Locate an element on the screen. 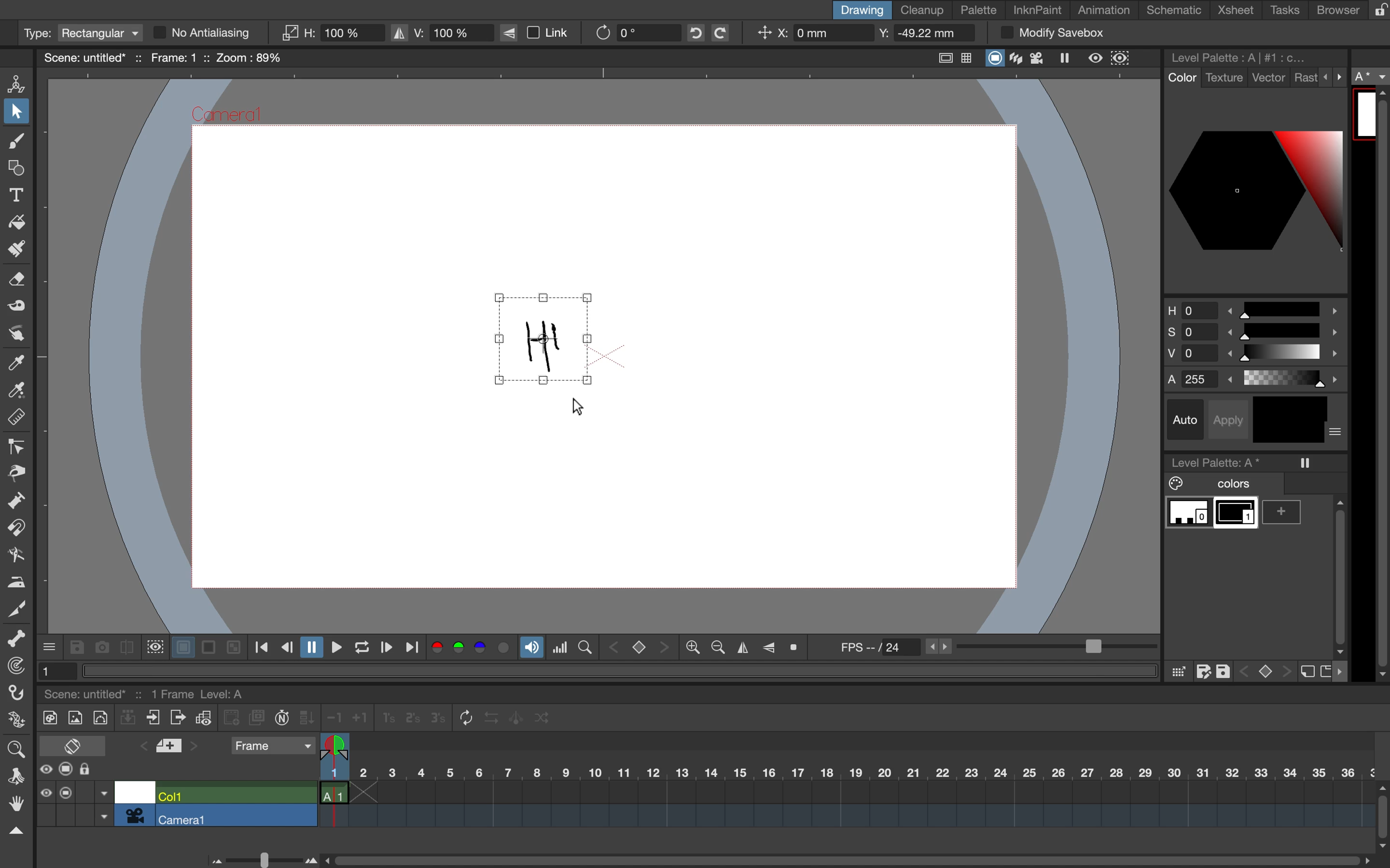 Image resolution: width=1390 pixels, height=868 pixels. zoom tool is located at coordinates (15, 747).